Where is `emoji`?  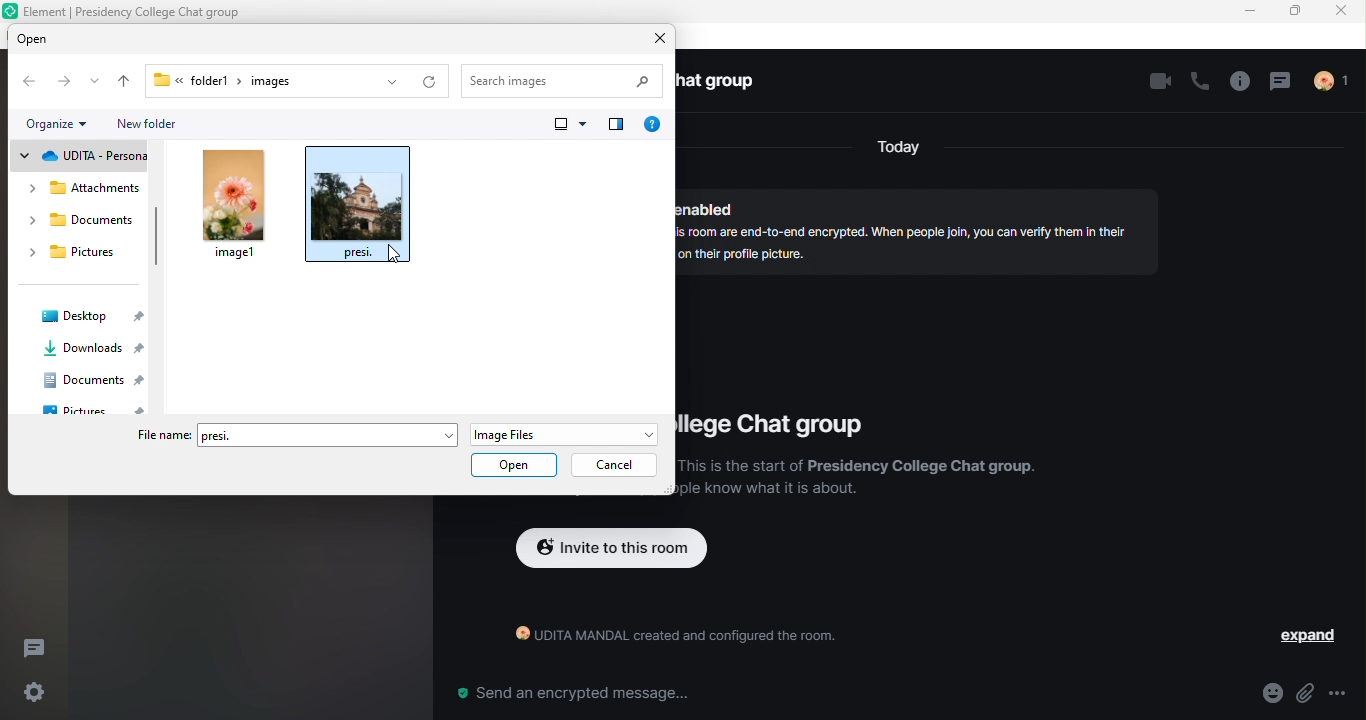 emoji is located at coordinates (1270, 694).